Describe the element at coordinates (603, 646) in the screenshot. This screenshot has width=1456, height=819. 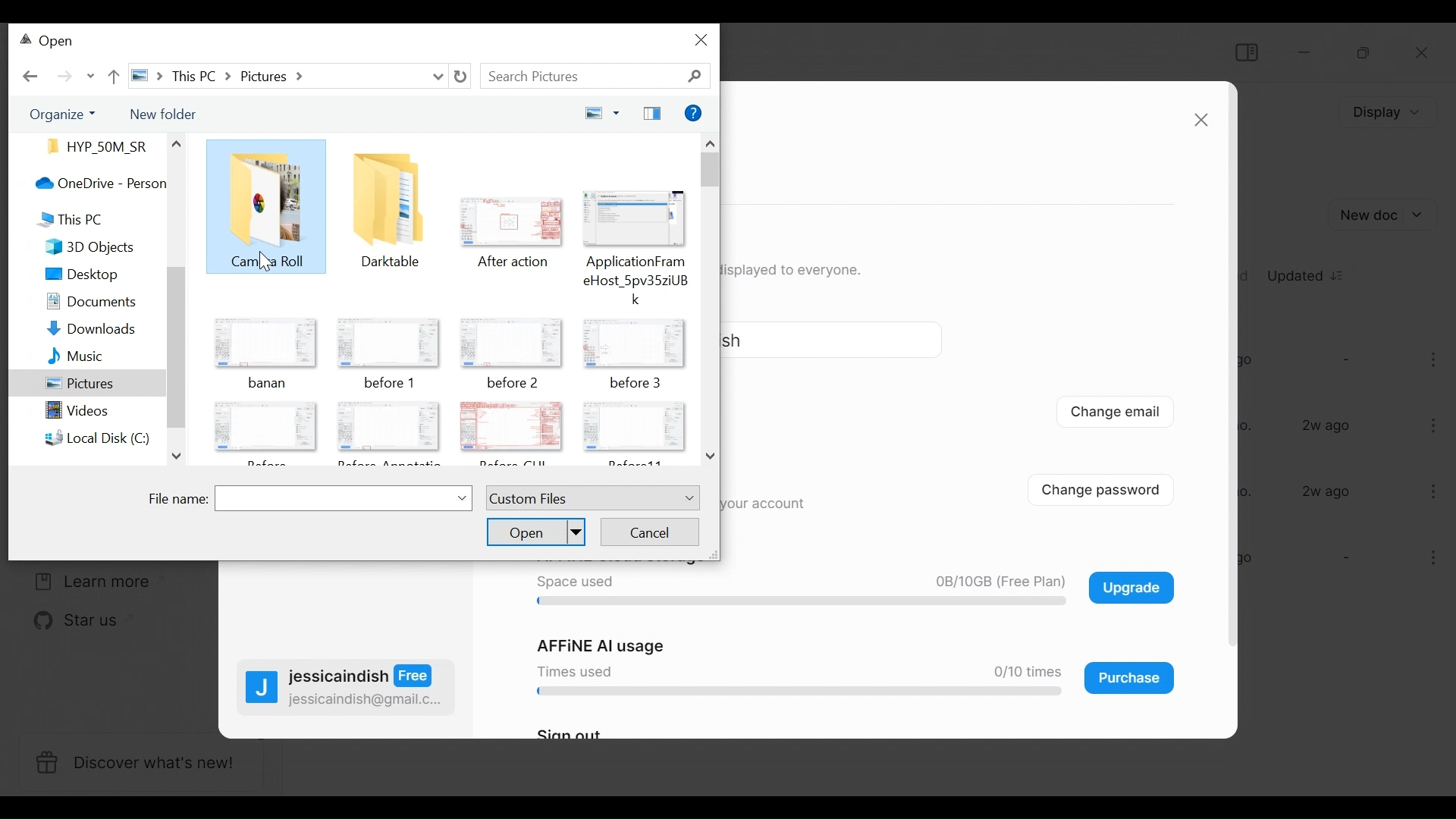
I see `AFFiNE AI usage` at that location.